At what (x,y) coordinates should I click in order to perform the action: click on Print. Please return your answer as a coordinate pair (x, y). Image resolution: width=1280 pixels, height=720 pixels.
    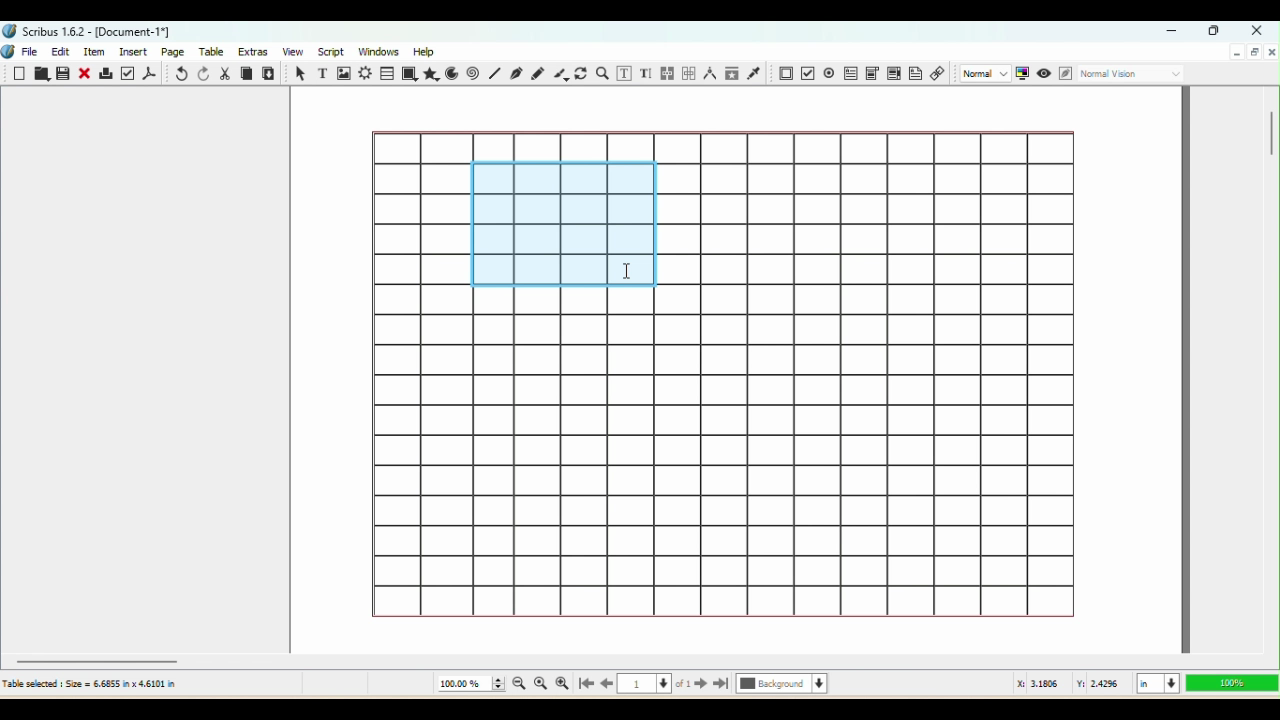
    Looking at the image, I should click on (106, 75).